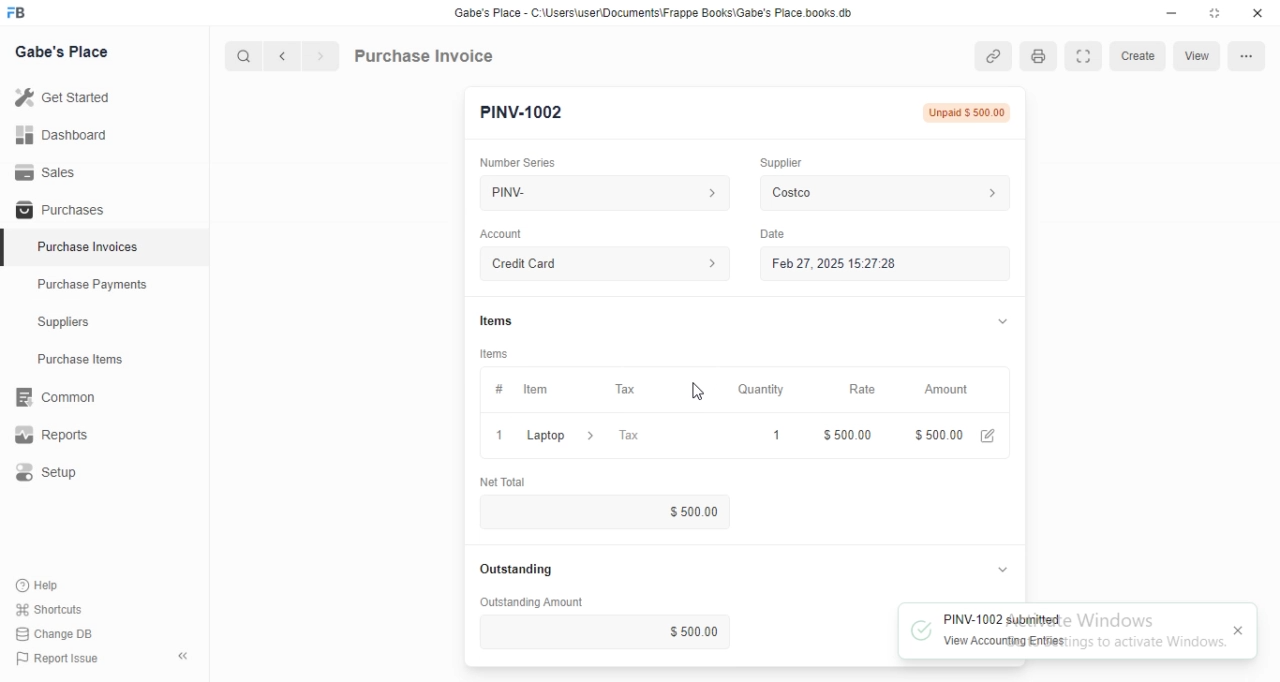 This screenshot has height=682, width=1280. Describe the element at coordinates (1082, 56) in the screenshot. I see `Toggle between form and full width` at that location.